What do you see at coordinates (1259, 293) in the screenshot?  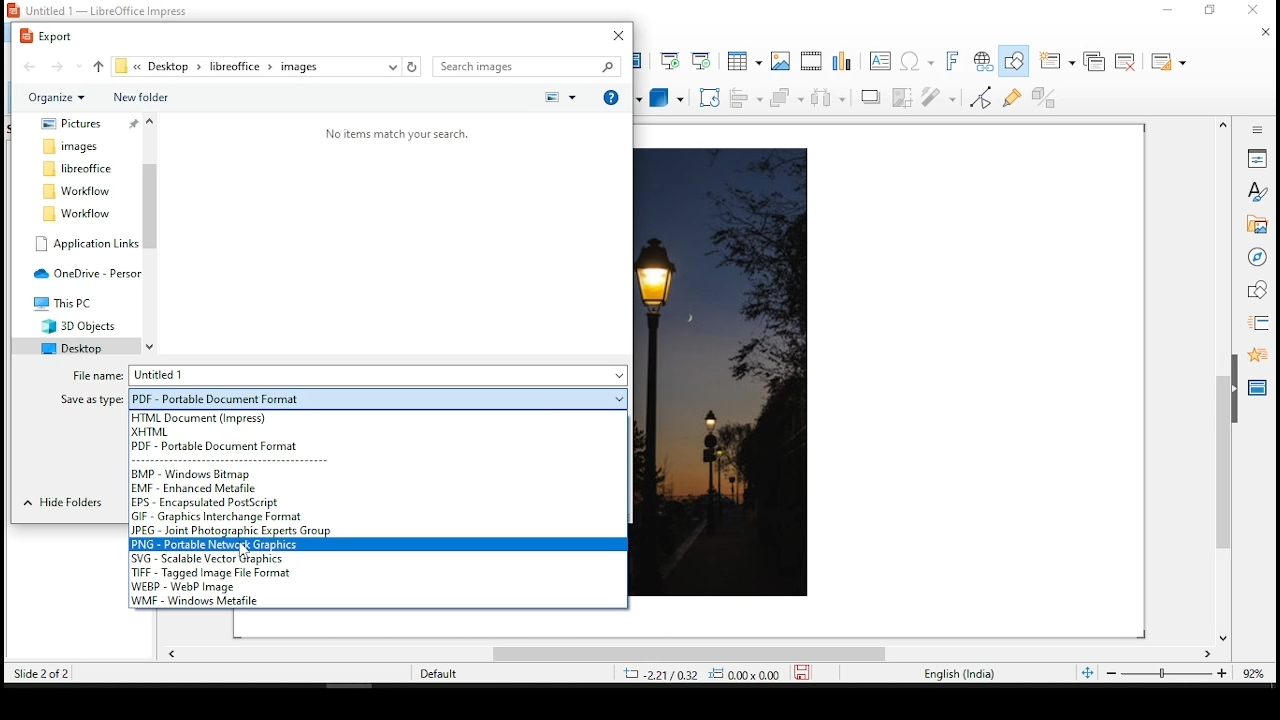 I see `shapes` at bounding box center [1259, 293].